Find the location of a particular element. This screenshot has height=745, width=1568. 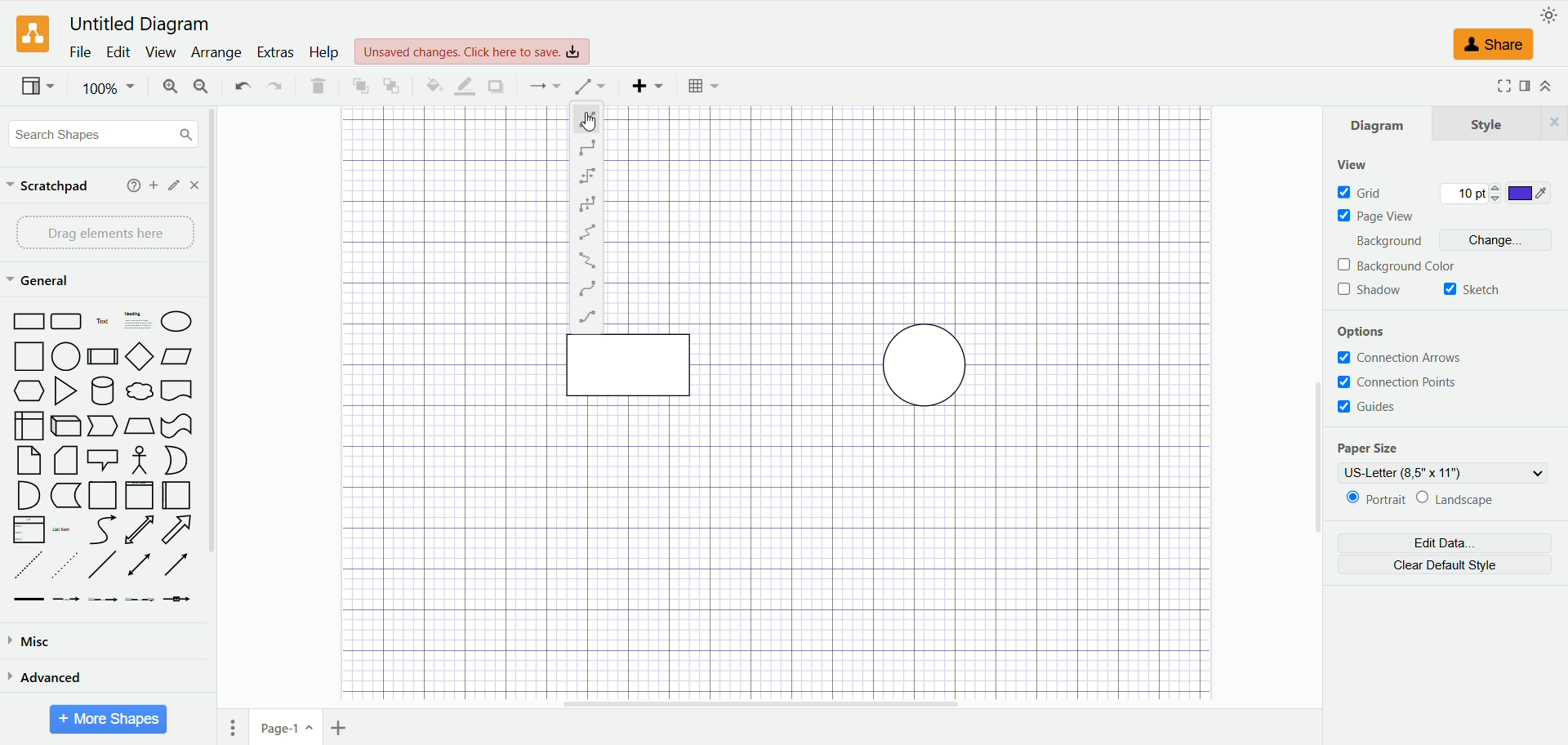

add is located at coordinates (152, 185).